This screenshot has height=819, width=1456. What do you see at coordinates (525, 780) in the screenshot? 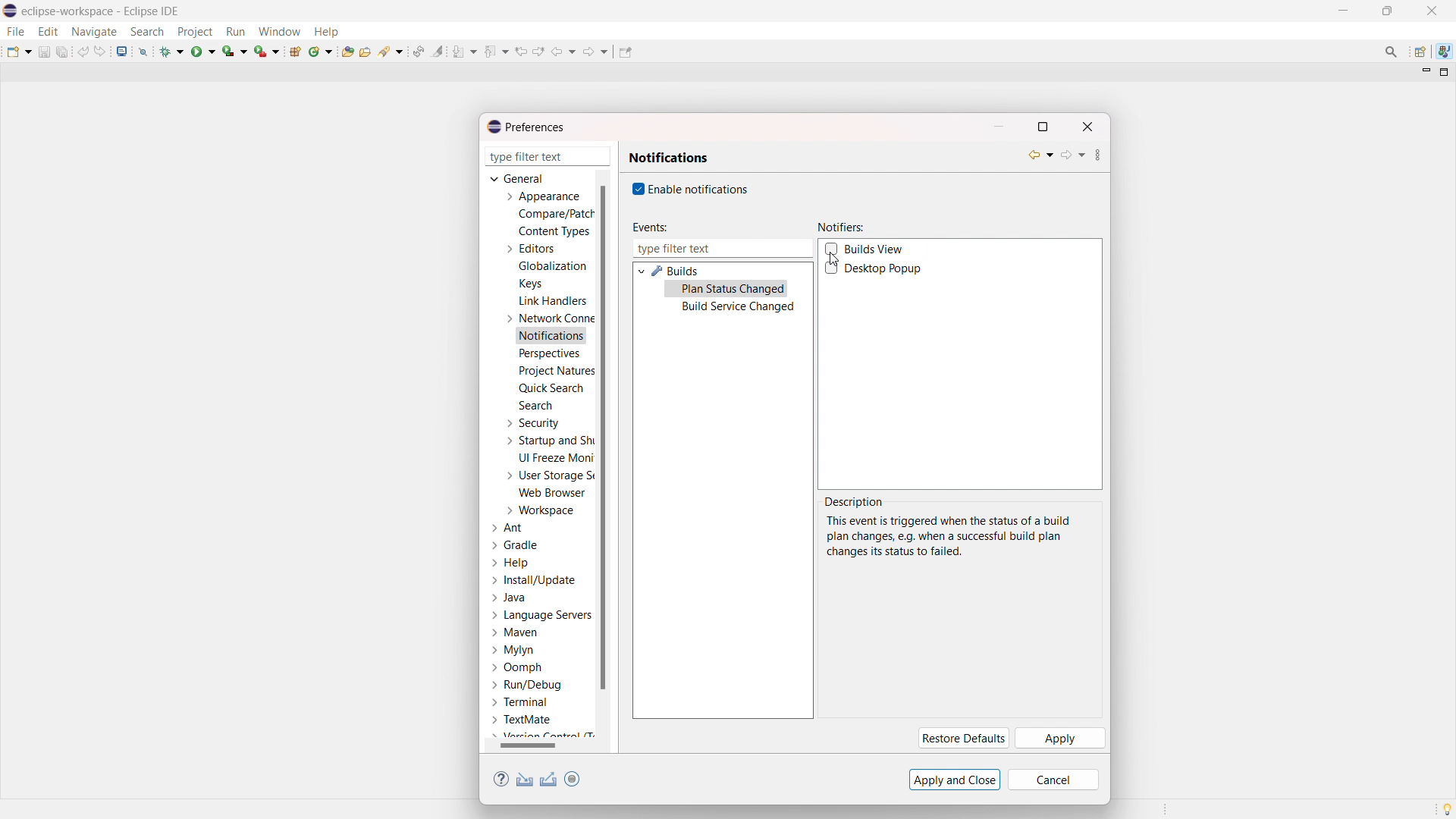
I see `import` at bounding box center [525, 780].